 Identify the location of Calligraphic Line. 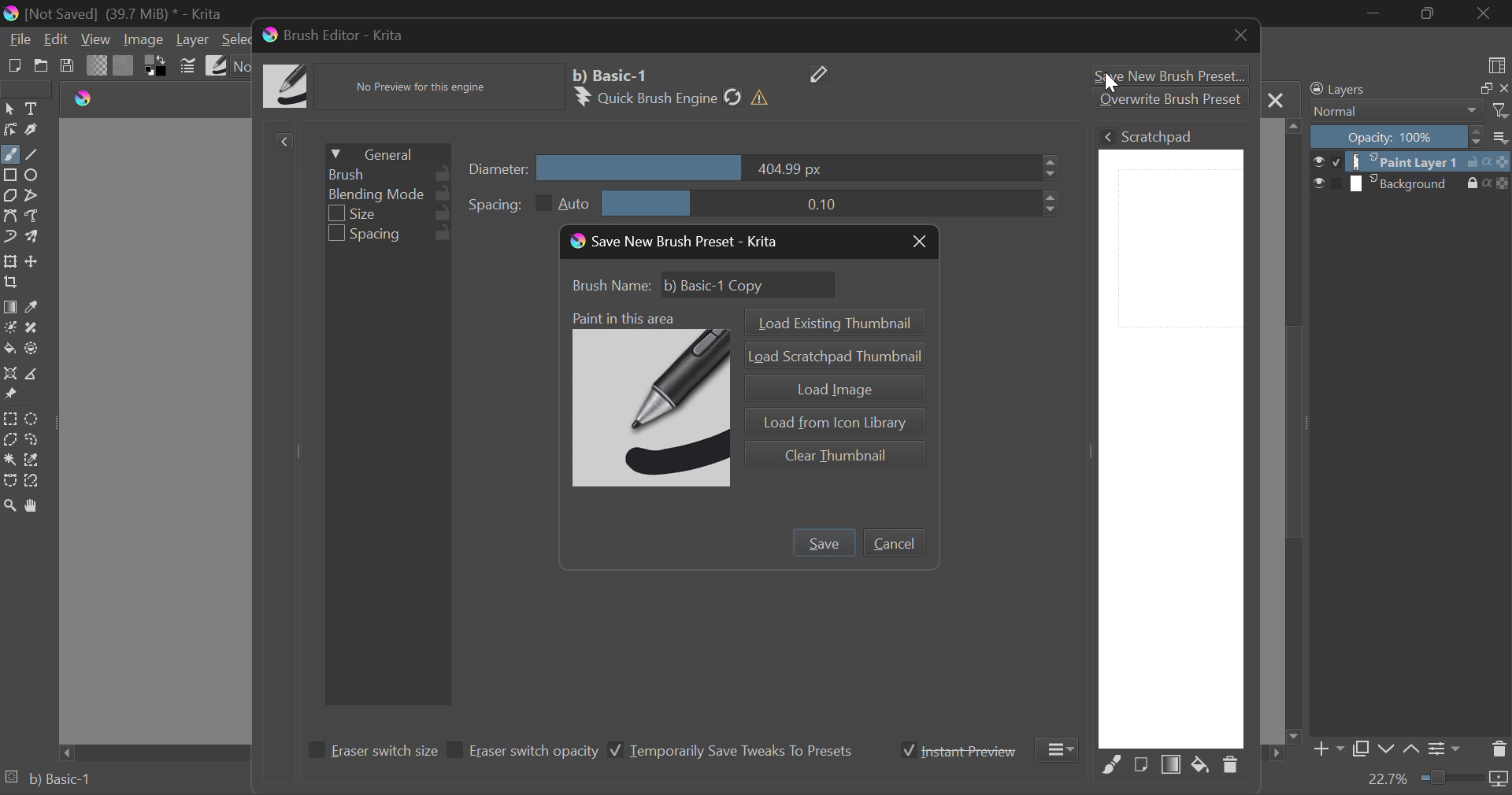
(30, 129).